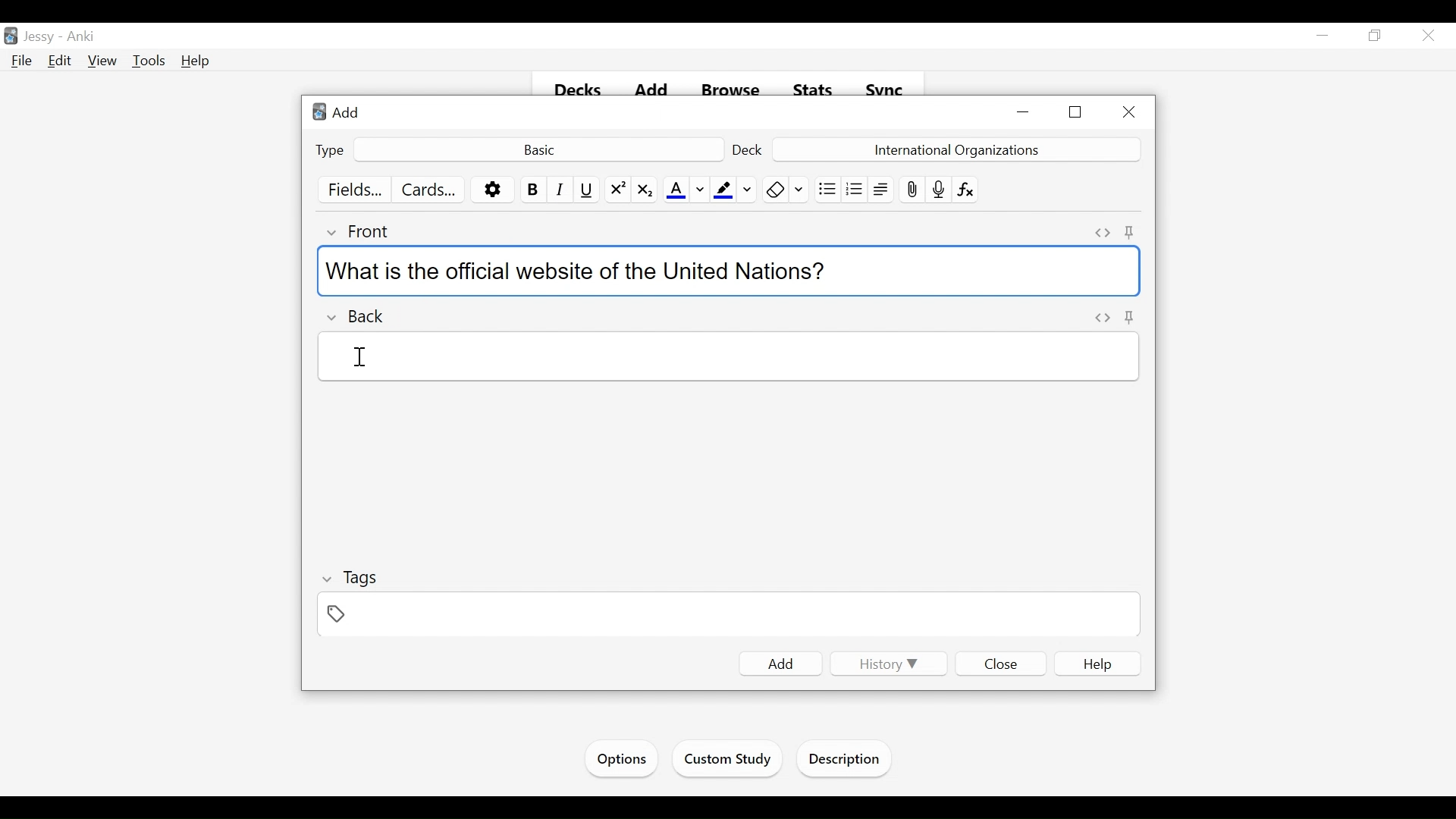  What do you see at coordinates (776, 664) in the screenshot?
I see `Add` at bounding box center [776, 664].